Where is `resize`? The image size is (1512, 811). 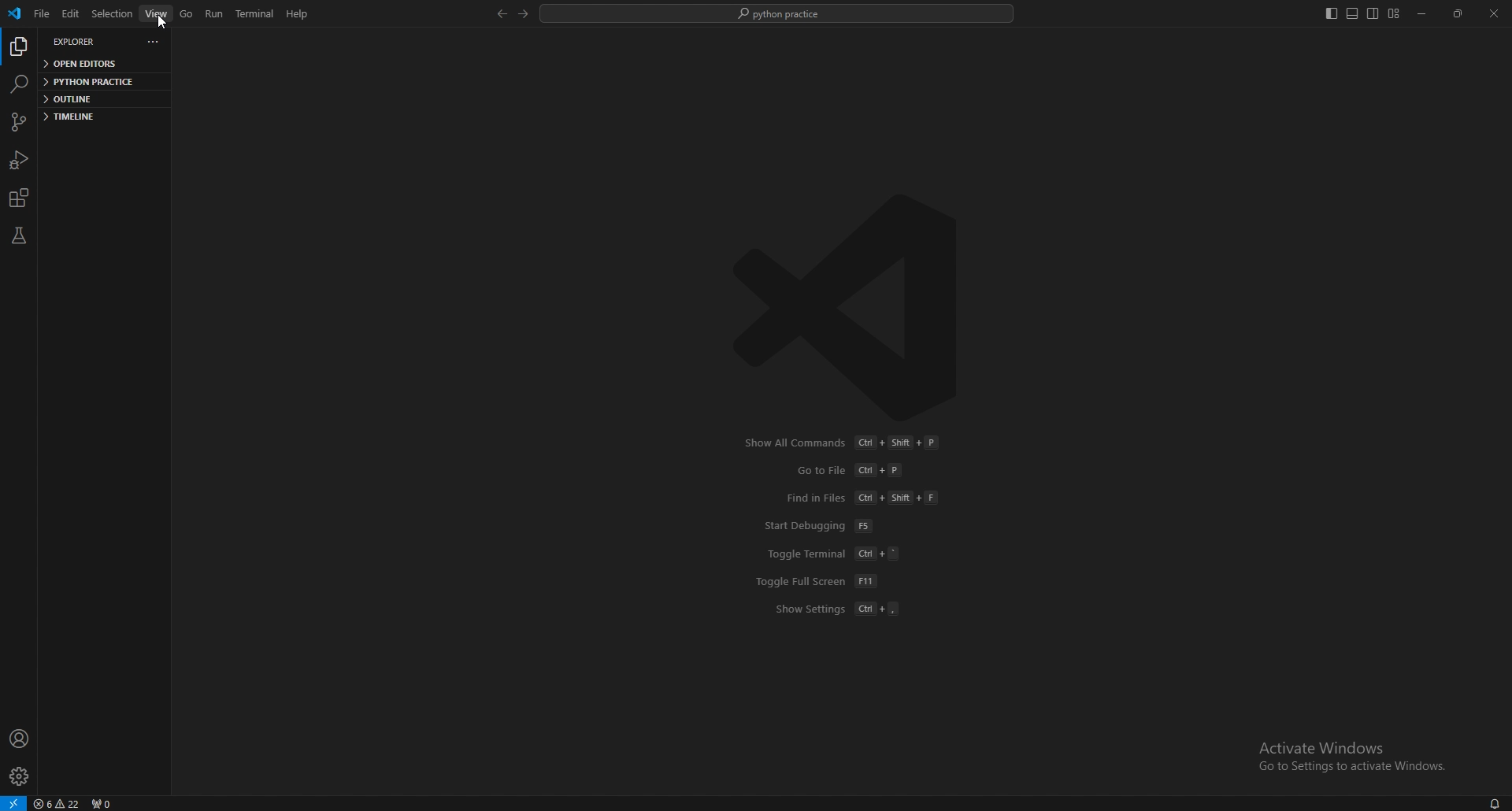 resize is located at coordinates (1457, 14).